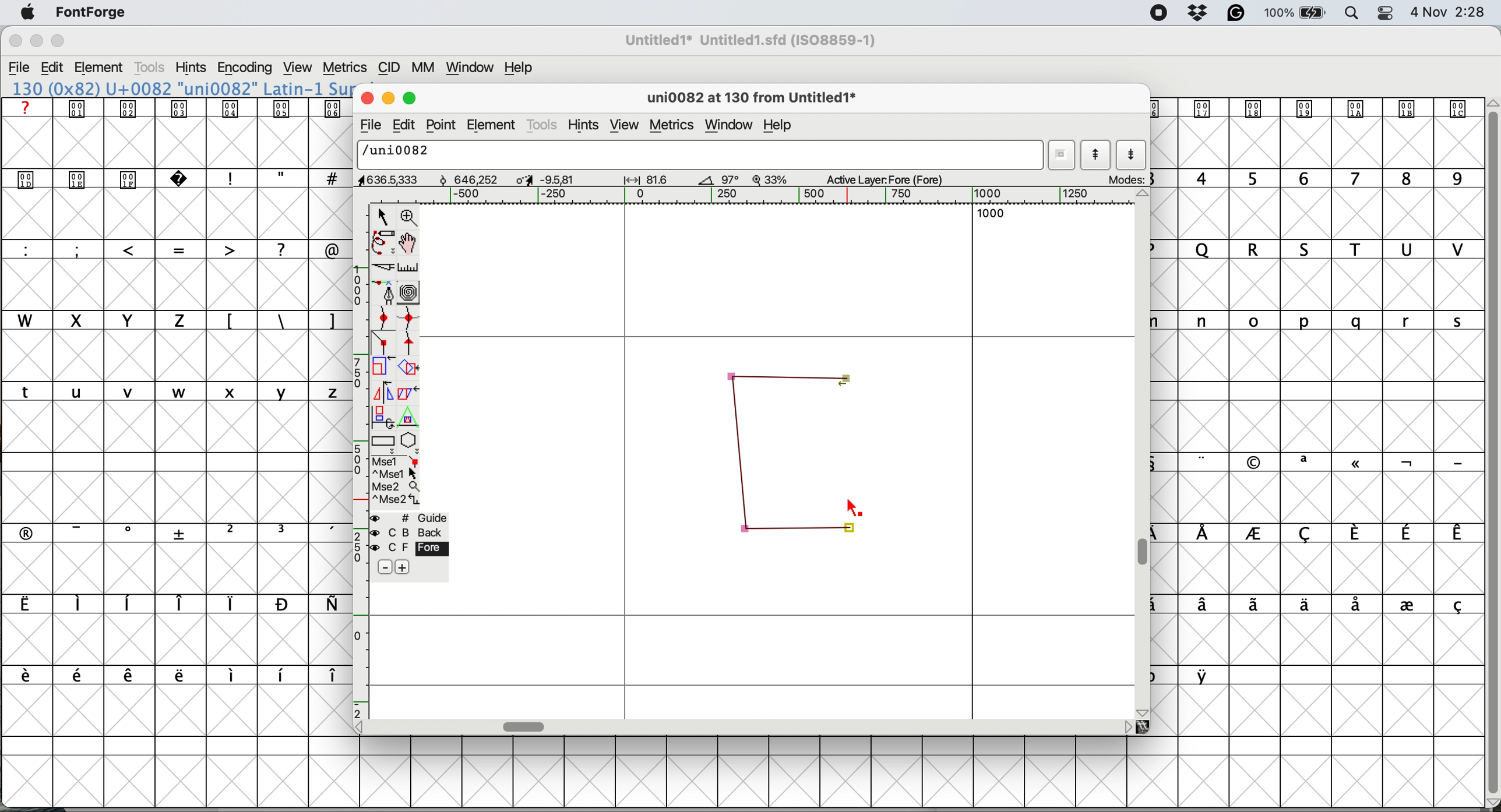 This screenshot has width=1501, height=812. I want to click on uppercase letters, so click(1325, 249).